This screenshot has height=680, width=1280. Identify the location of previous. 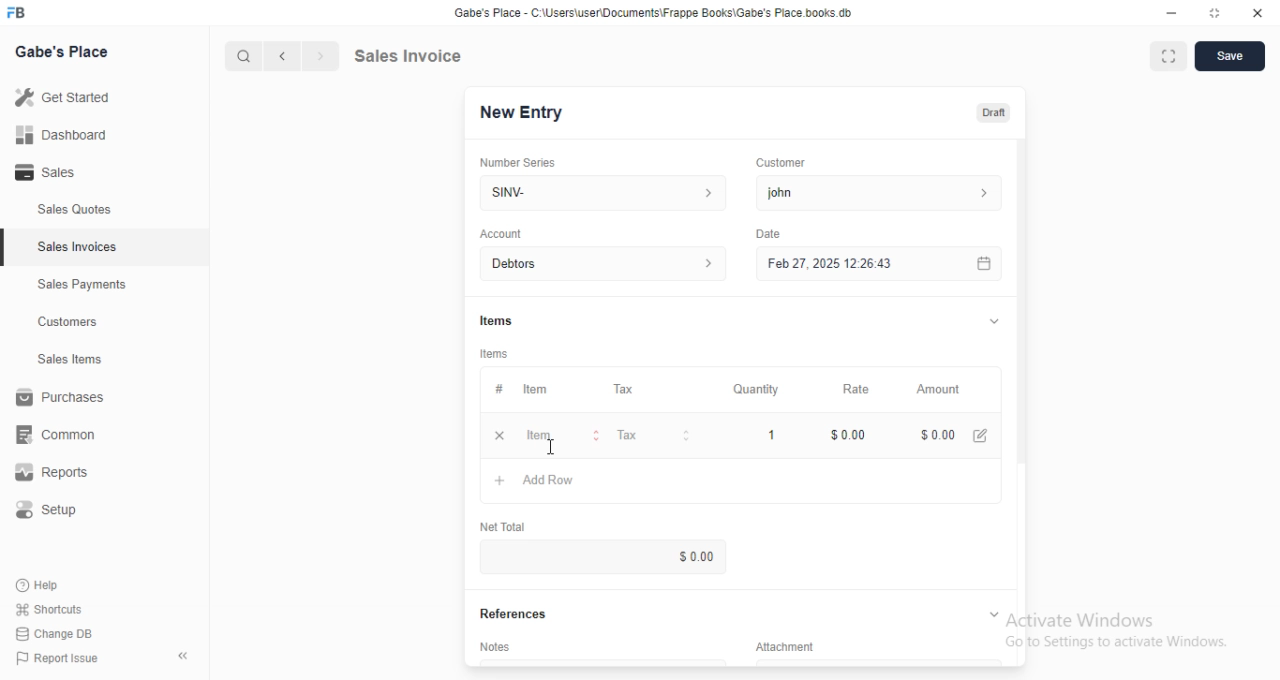
(284, 54).